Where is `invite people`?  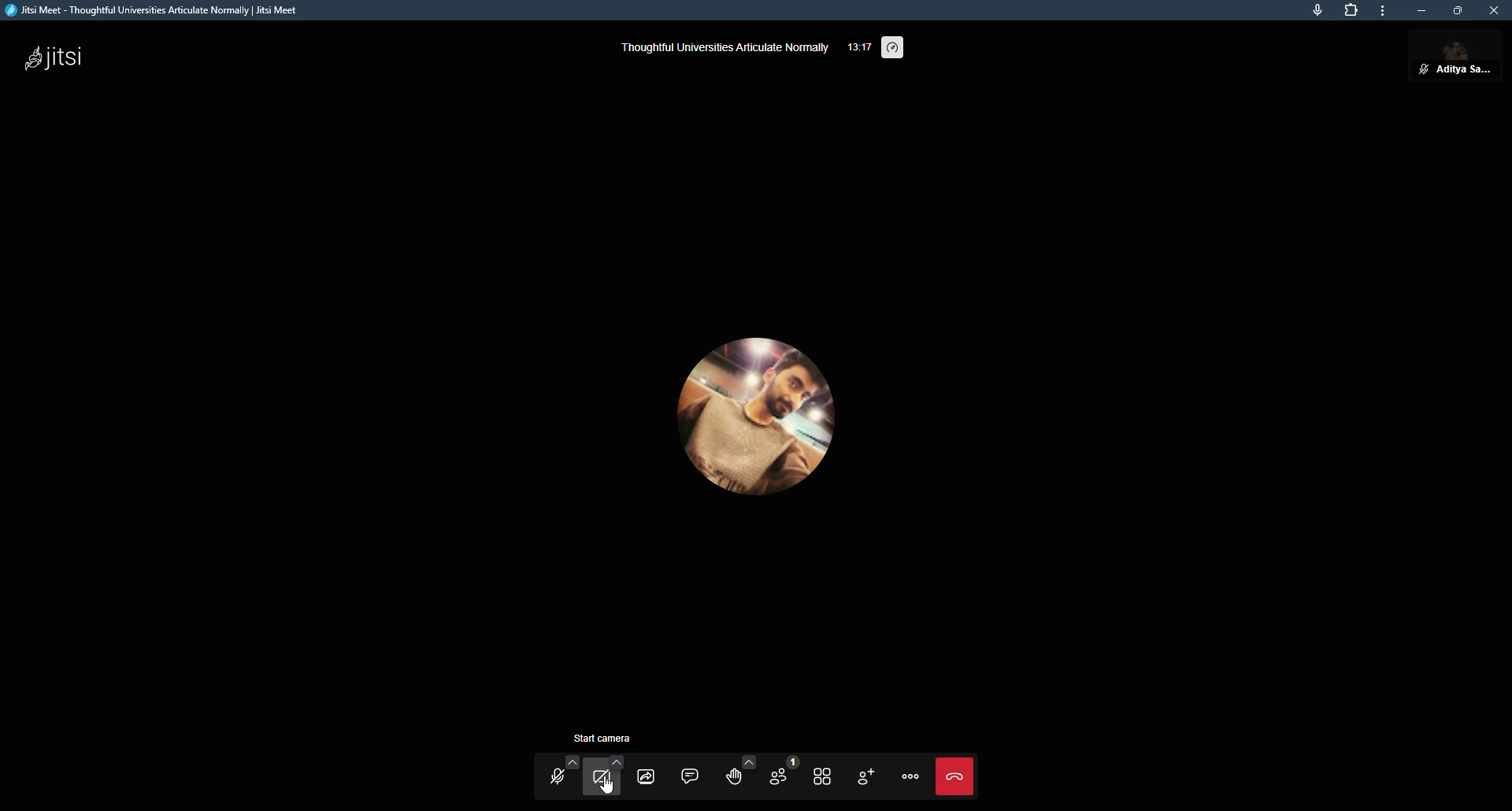 invite people is located at coordinates (863, 777).